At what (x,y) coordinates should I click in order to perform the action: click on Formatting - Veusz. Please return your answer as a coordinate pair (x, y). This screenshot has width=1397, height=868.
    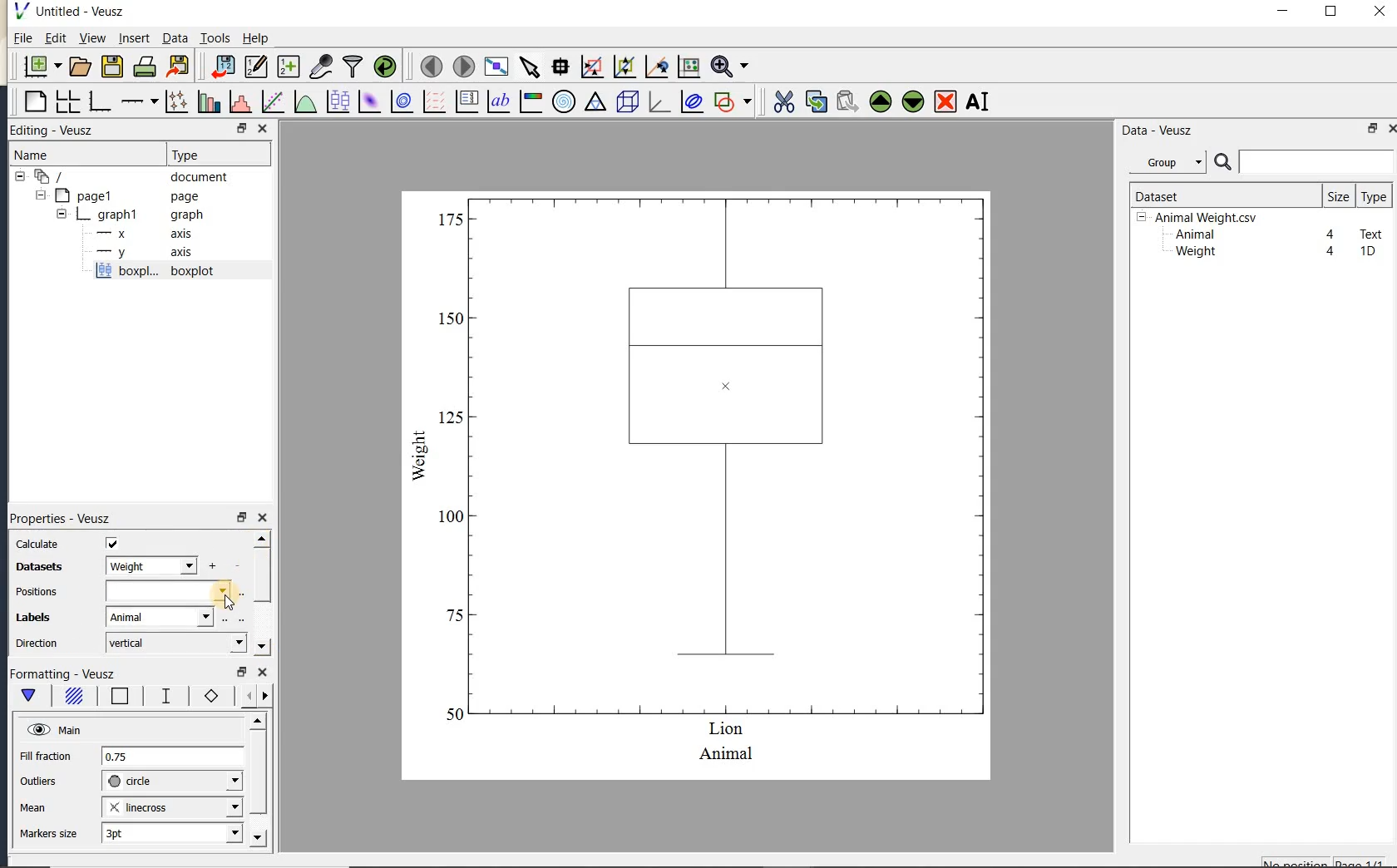
    Looking at the image, I should click on (67, 674).